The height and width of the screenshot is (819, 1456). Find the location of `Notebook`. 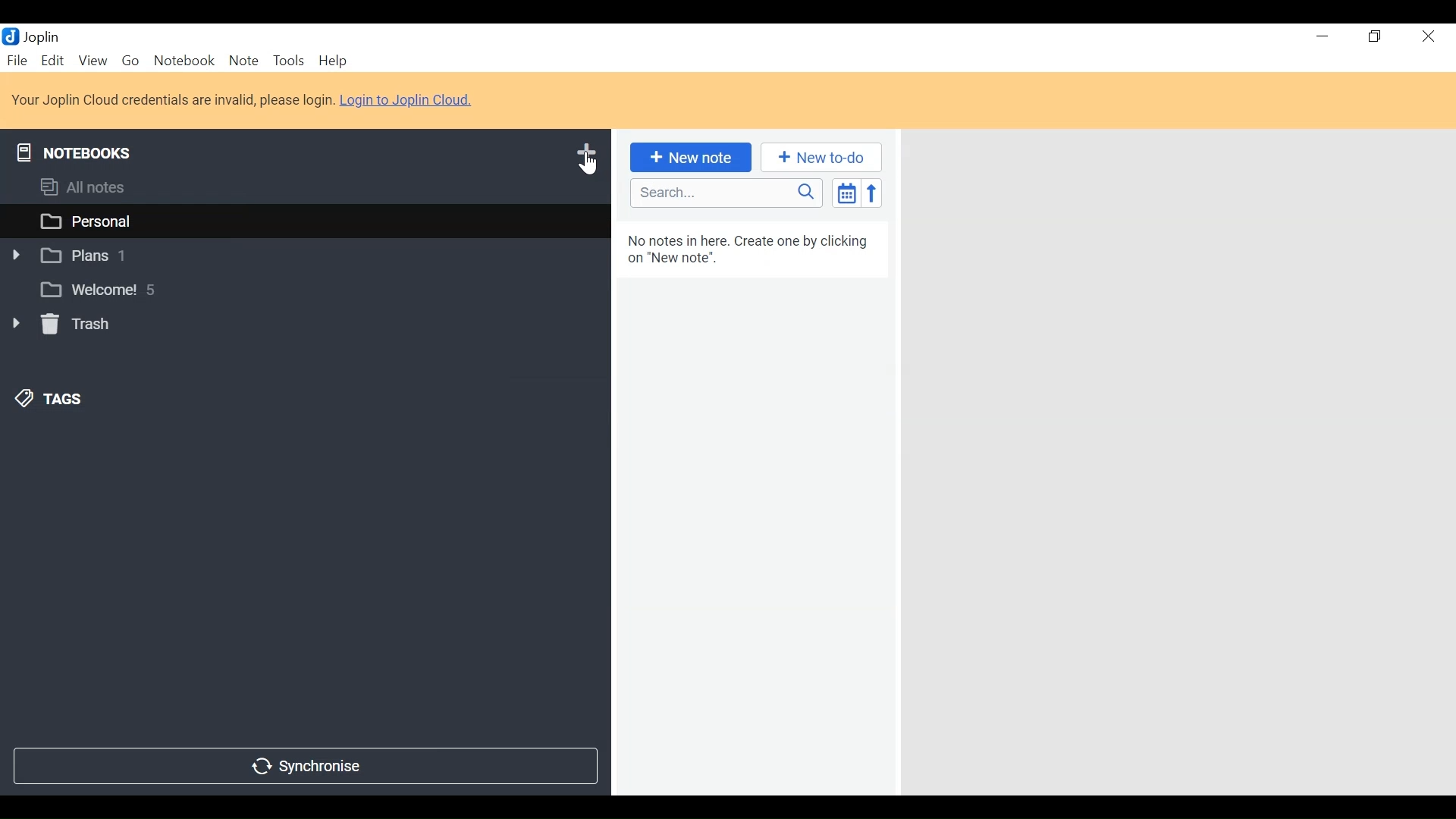

Notebook is located at coordinates (187, 60).